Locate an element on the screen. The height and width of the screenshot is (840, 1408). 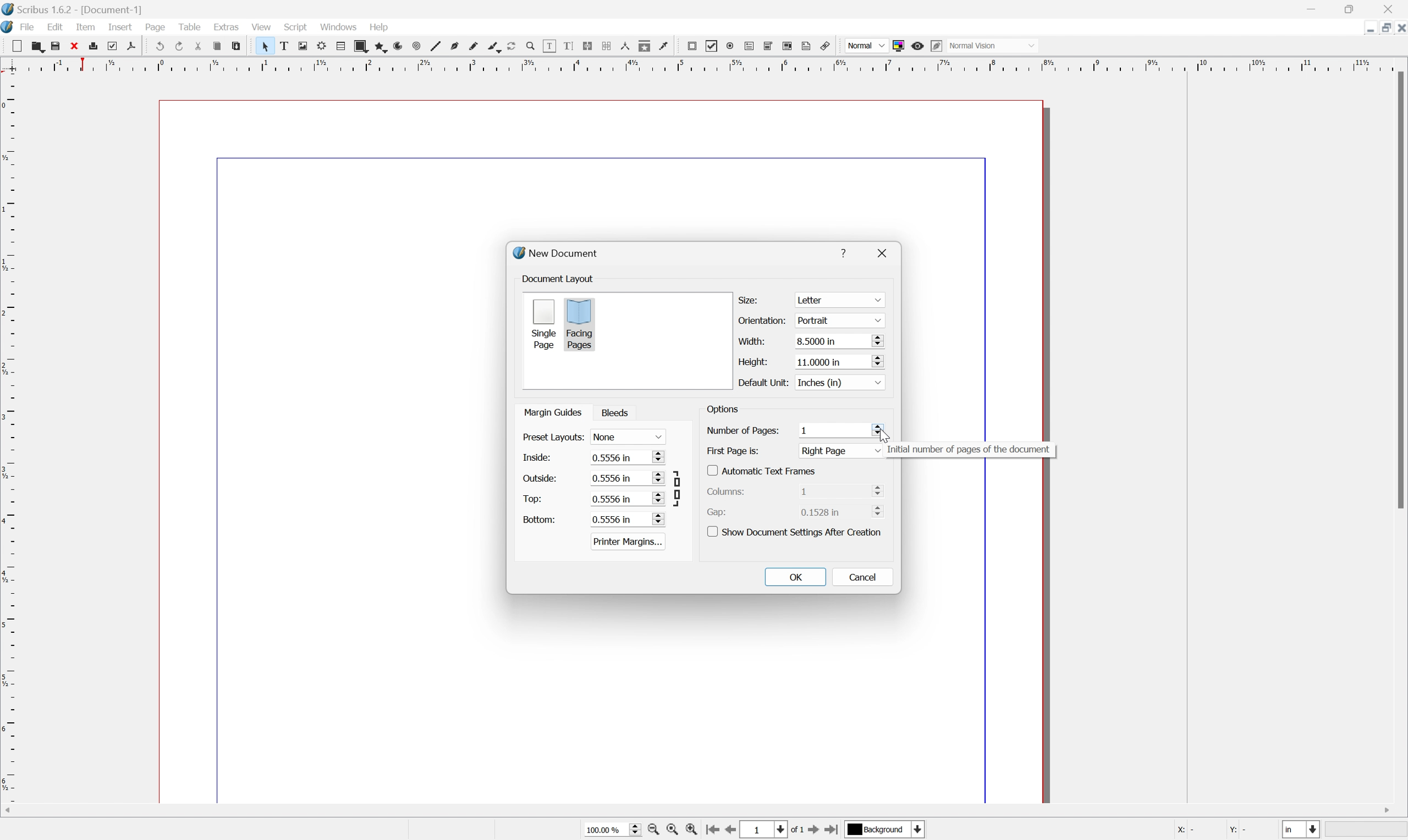
cursor is located at coordinates (881, 432).